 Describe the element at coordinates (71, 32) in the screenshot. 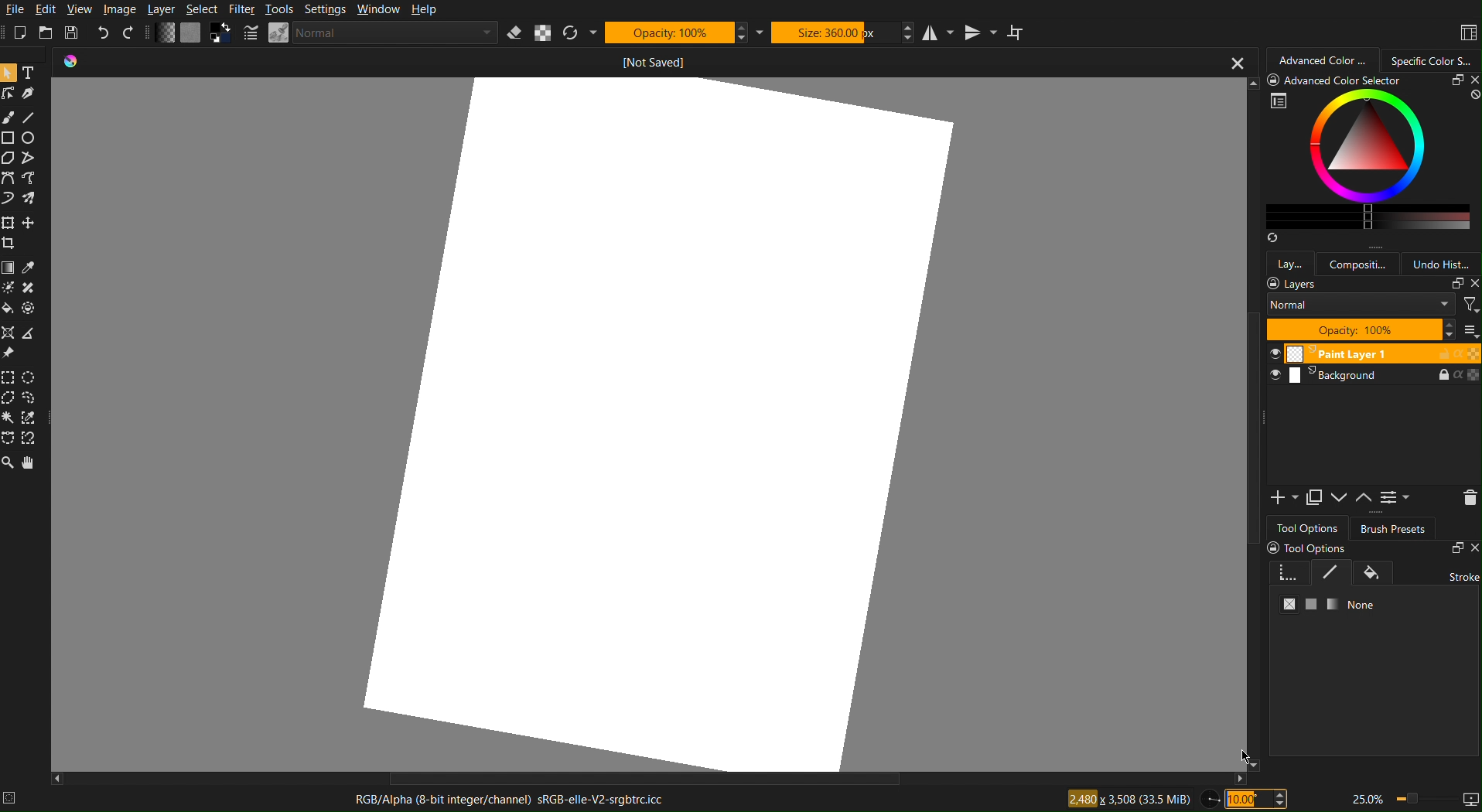

I see `Save` at that location.